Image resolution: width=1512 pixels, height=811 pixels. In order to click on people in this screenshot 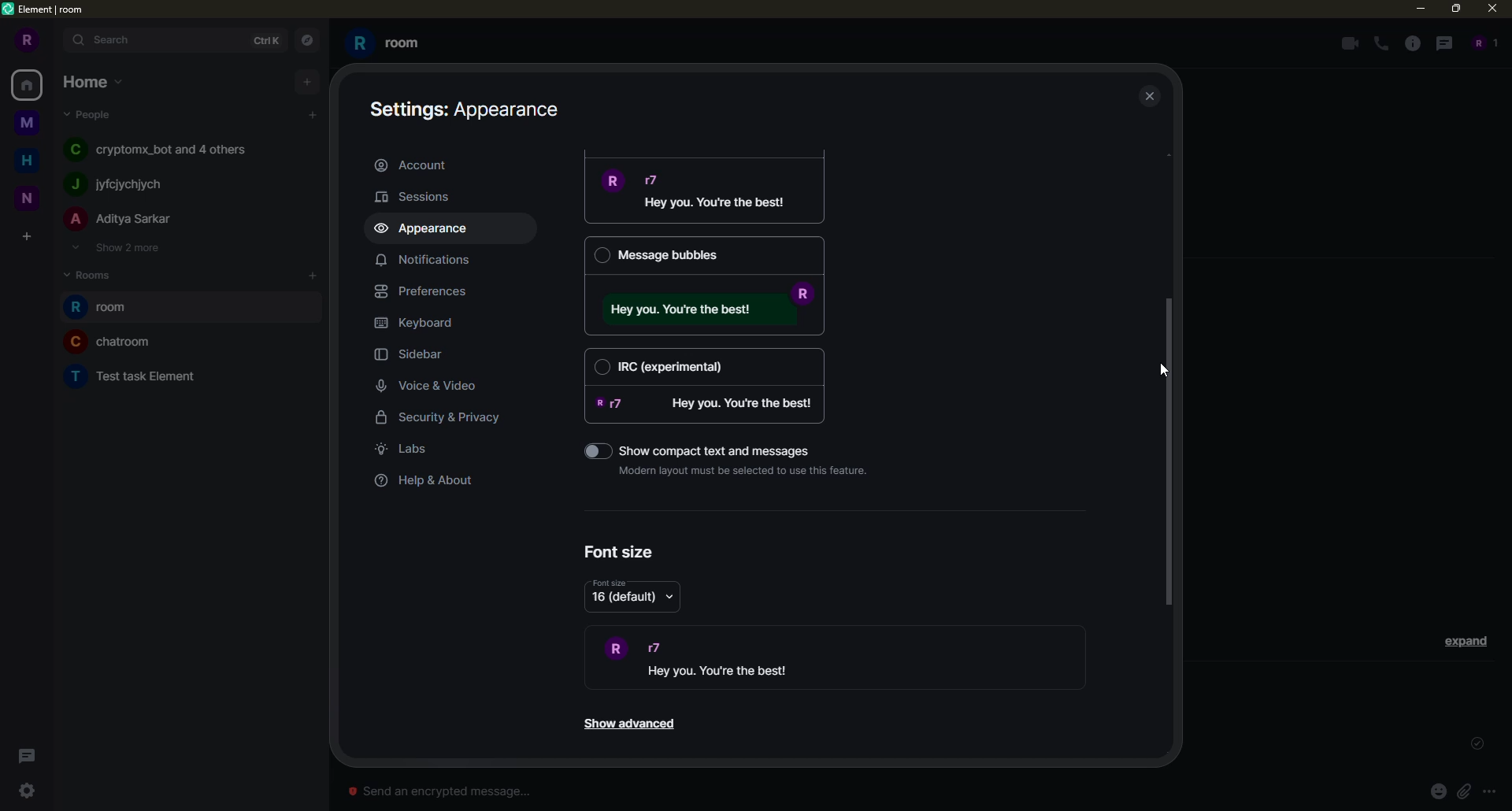, I will do `click(1482, 43)`.